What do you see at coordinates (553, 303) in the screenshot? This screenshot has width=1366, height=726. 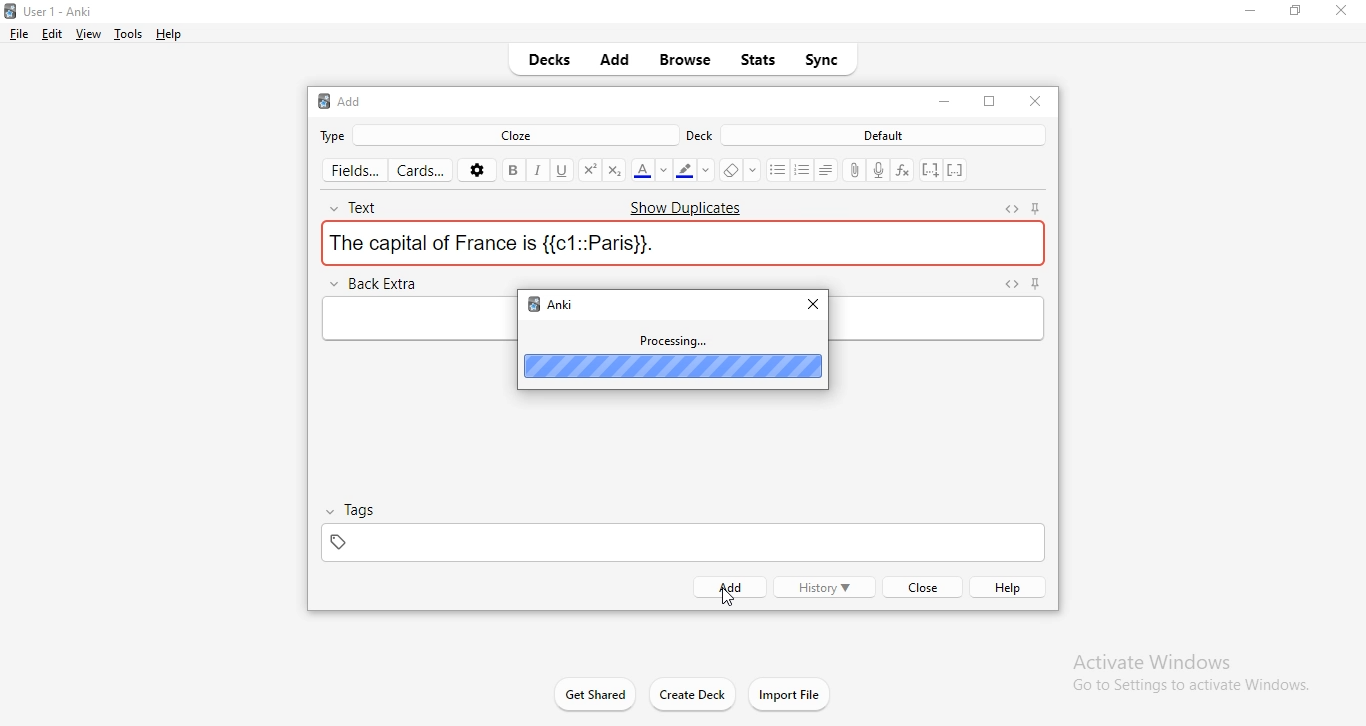 I see `anki` at bounding box center [553, 303].